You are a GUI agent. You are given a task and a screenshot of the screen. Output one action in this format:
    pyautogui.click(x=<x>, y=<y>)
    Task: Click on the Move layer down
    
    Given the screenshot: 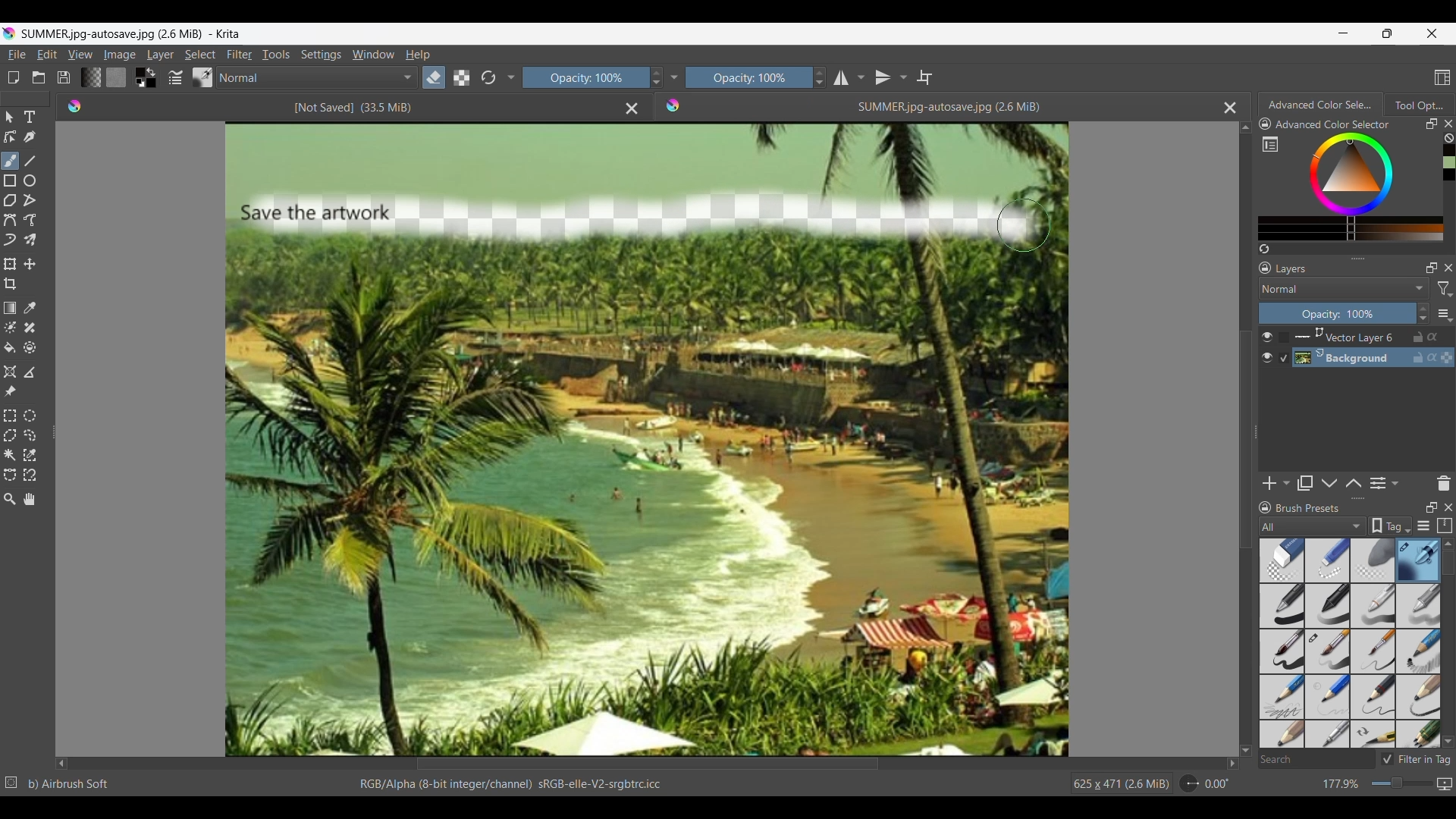 What is the action you would take?
    pyautogui.click(x=1329, y=483)
    